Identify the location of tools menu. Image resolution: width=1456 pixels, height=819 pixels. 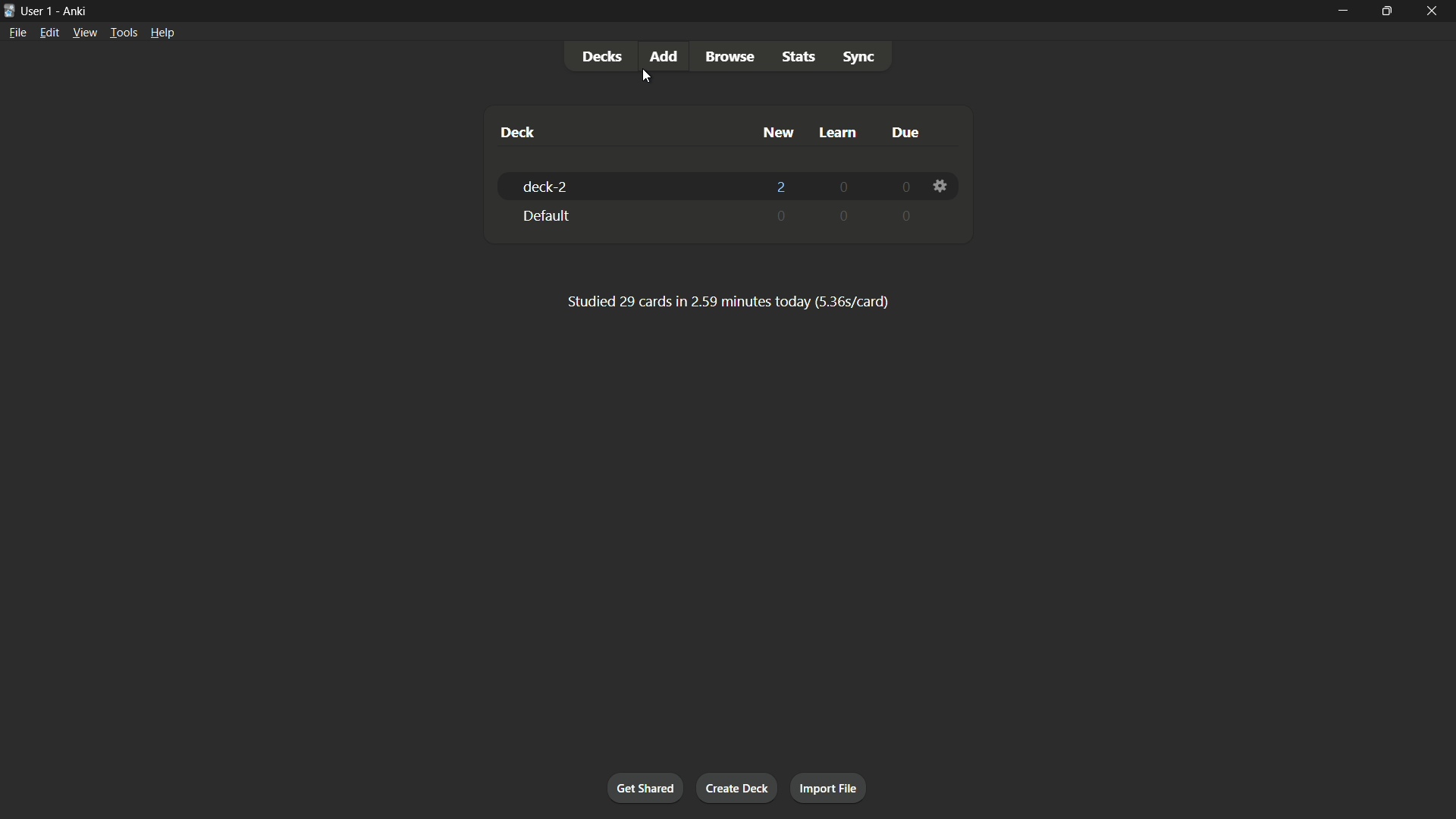
(124, 33).